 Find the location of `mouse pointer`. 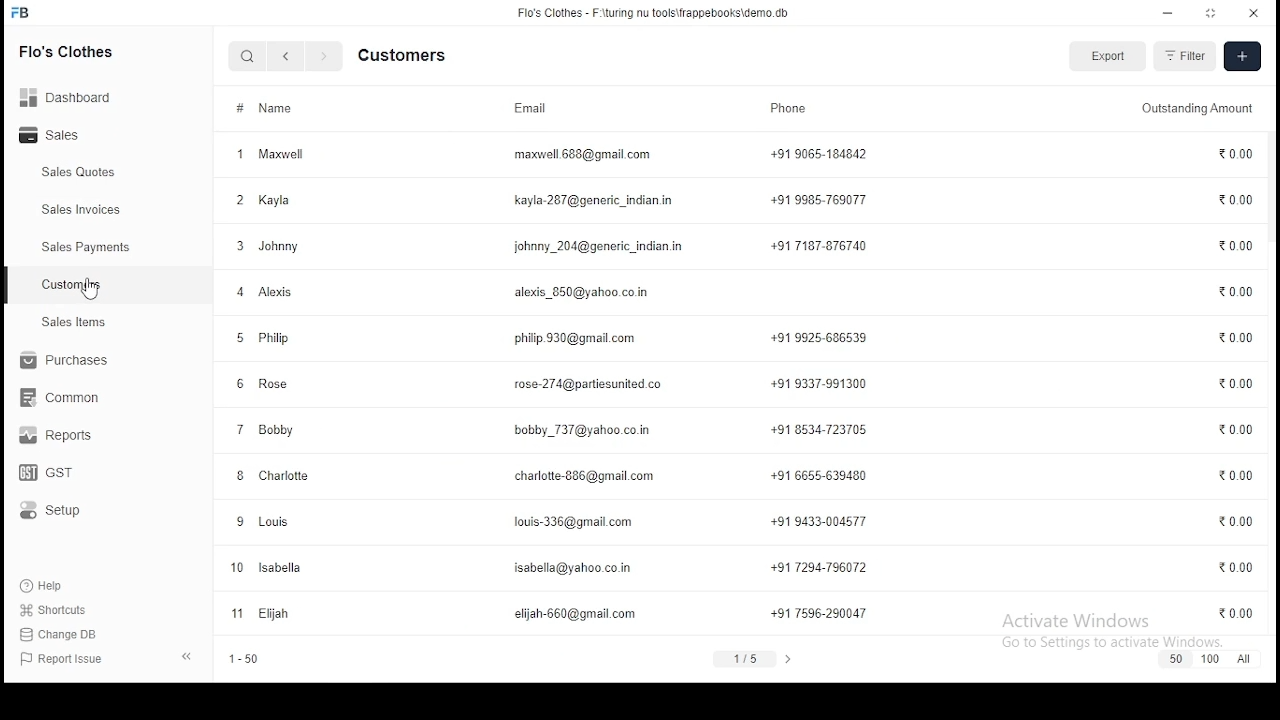

mouse pointer is located at coordinates (90, 293).